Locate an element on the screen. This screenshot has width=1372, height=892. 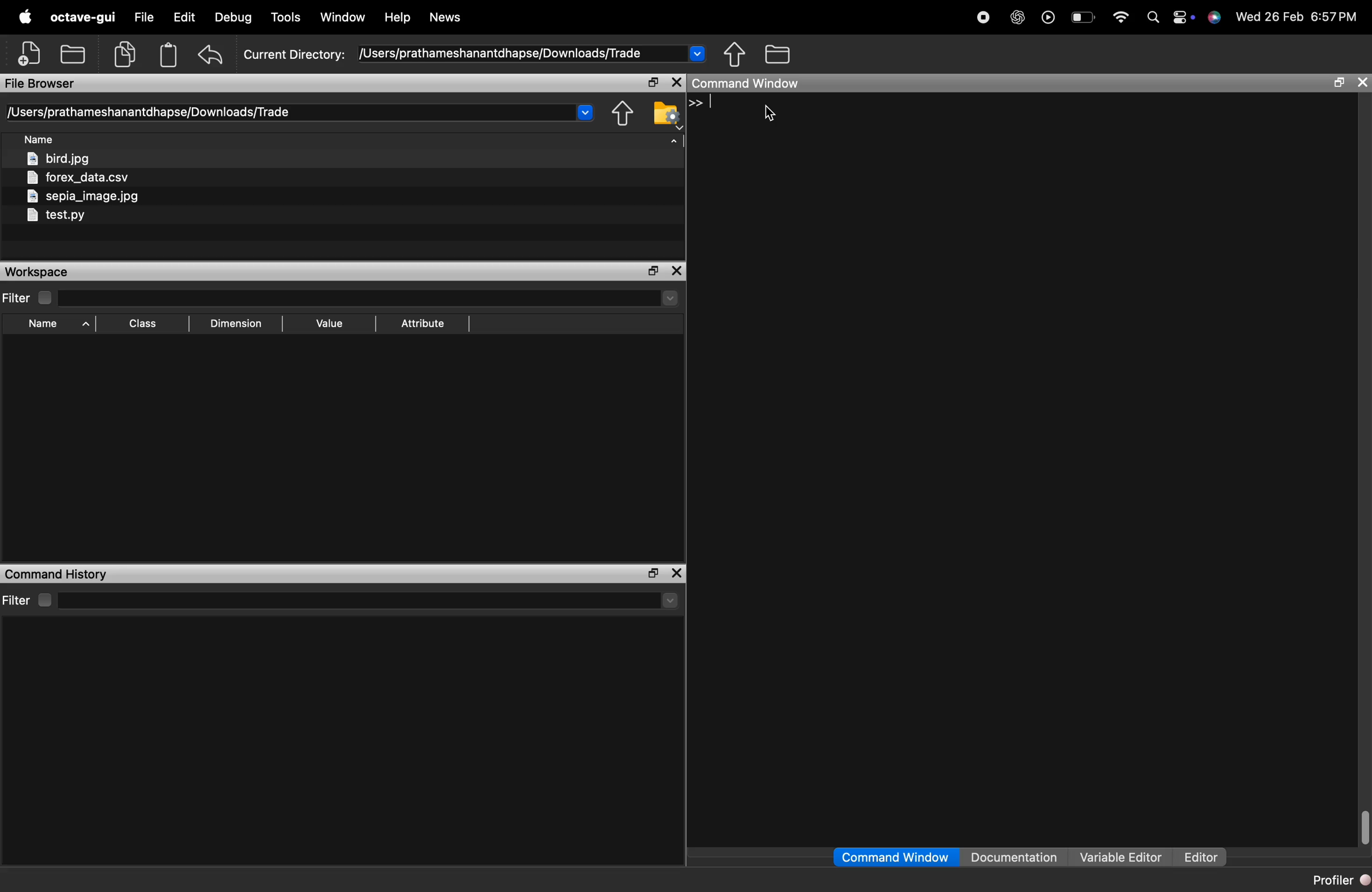
browser your file is located at coordinates (666, 117).